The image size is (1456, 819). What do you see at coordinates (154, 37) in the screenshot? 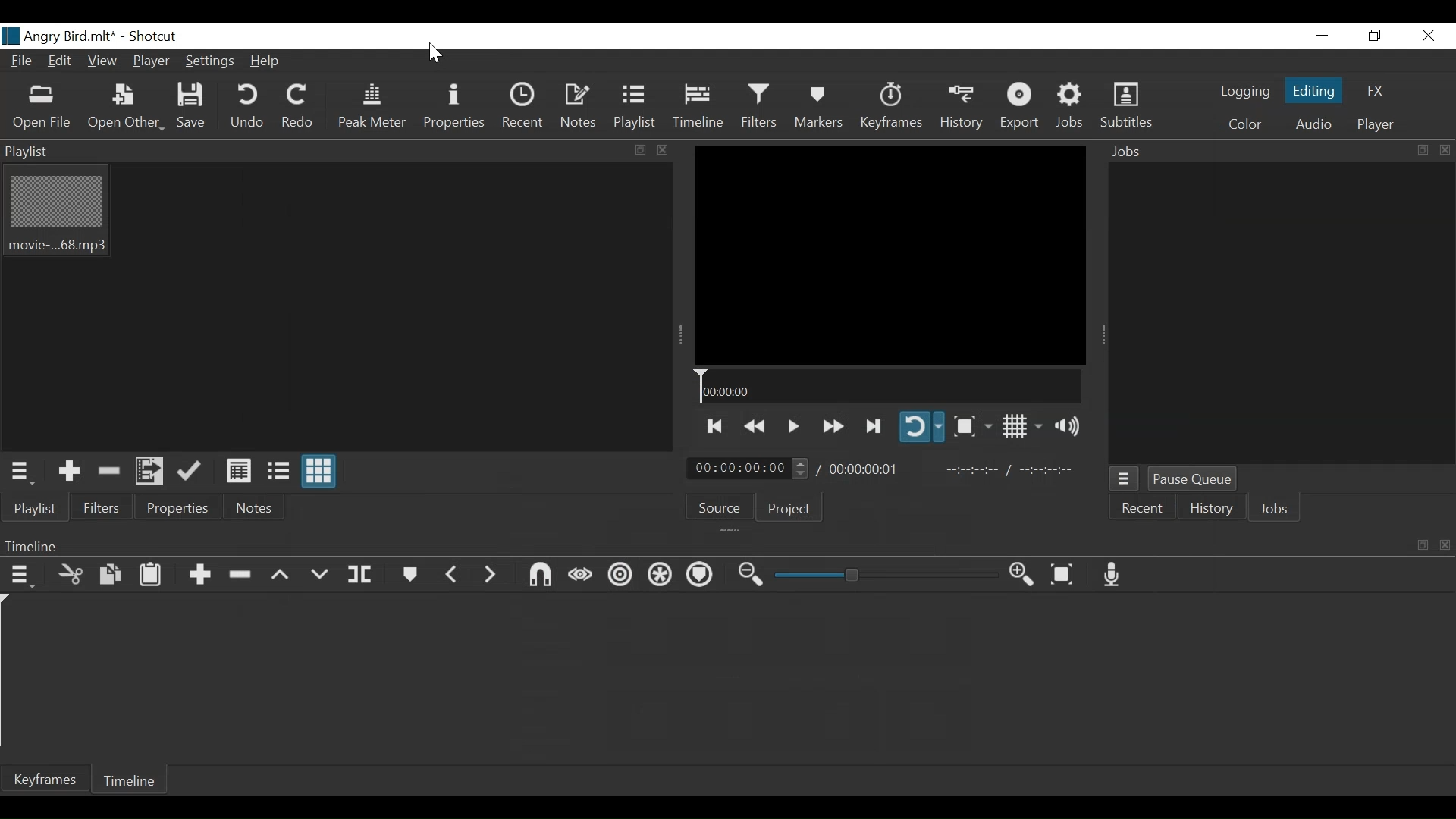
I see `Shotcut` at bounding box center [154, 37].